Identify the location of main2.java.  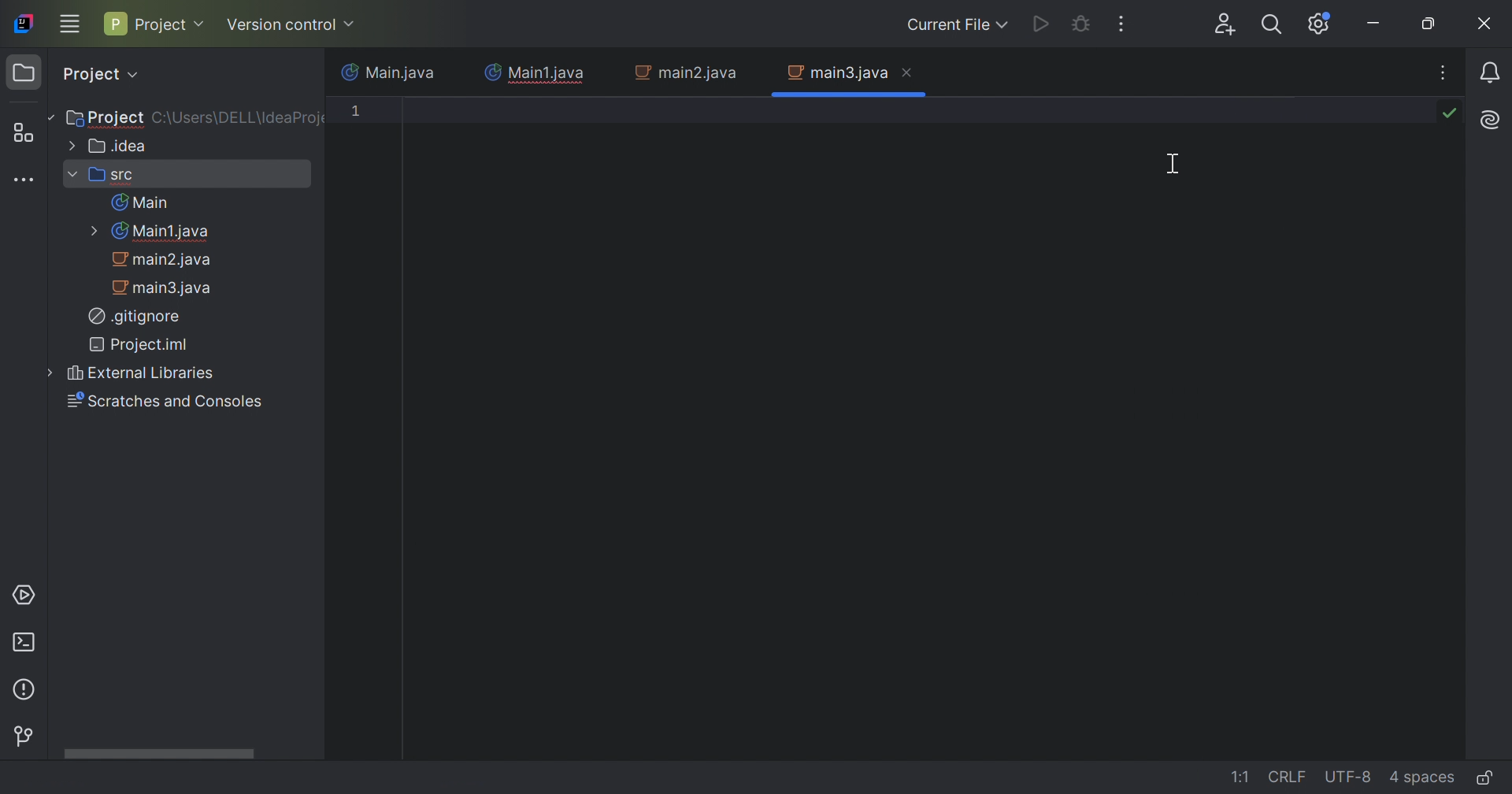
(685, 74).